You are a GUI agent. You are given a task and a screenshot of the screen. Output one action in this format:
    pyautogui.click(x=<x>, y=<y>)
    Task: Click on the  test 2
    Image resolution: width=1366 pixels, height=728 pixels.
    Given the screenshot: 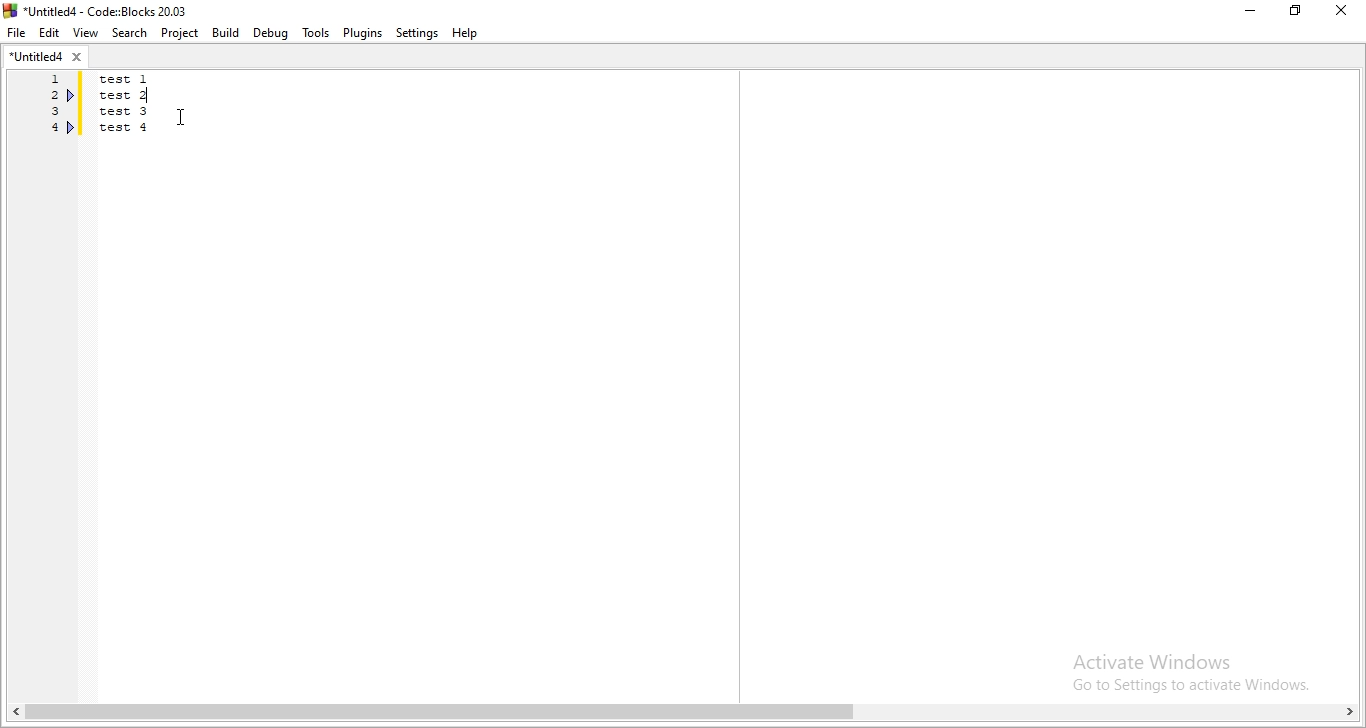 What is the action you would take?
    pyautogui.click(x=128, y=96)
    